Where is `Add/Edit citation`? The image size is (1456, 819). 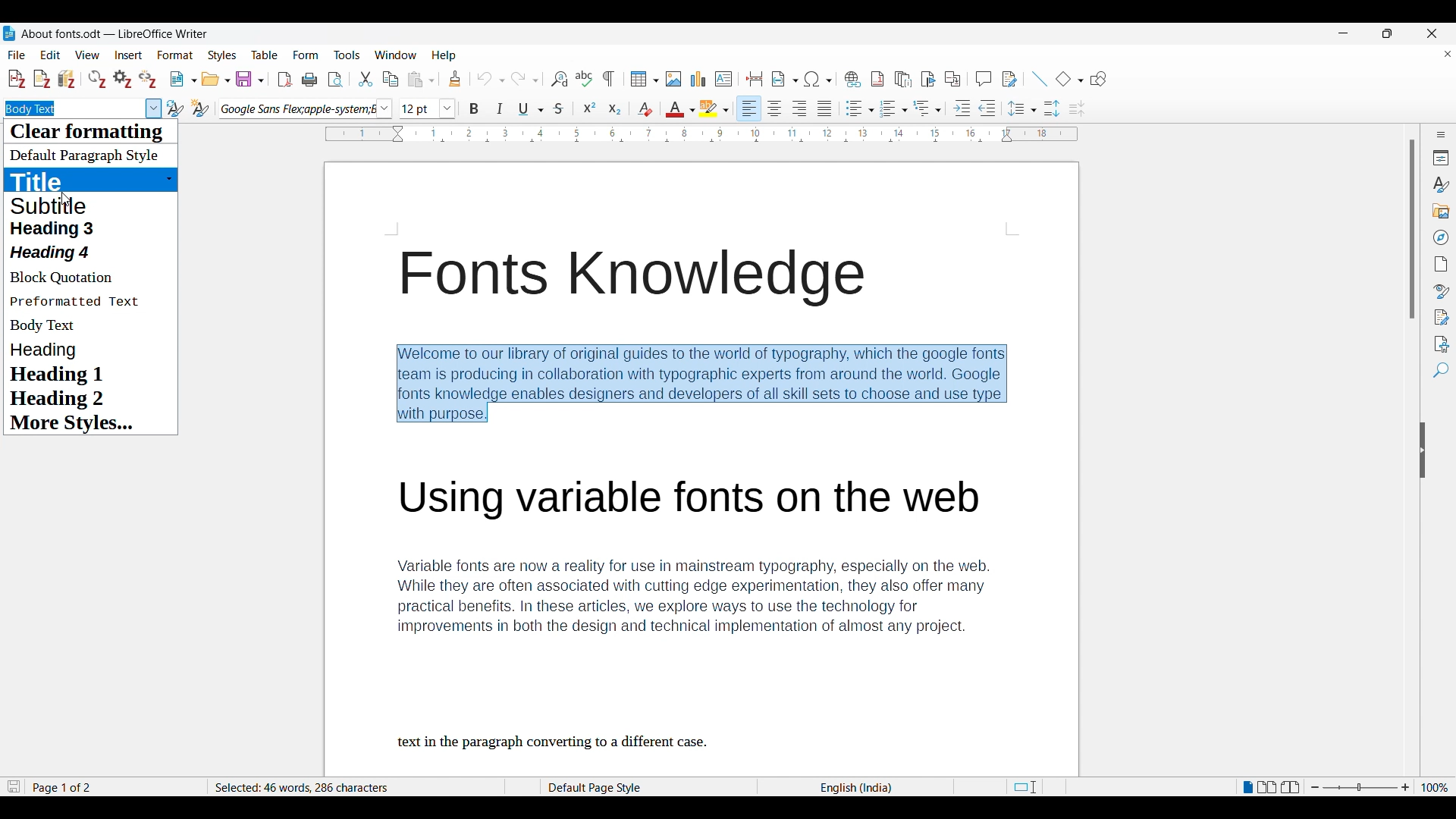 Add/Edit citation is located at coordinates (17, 79).